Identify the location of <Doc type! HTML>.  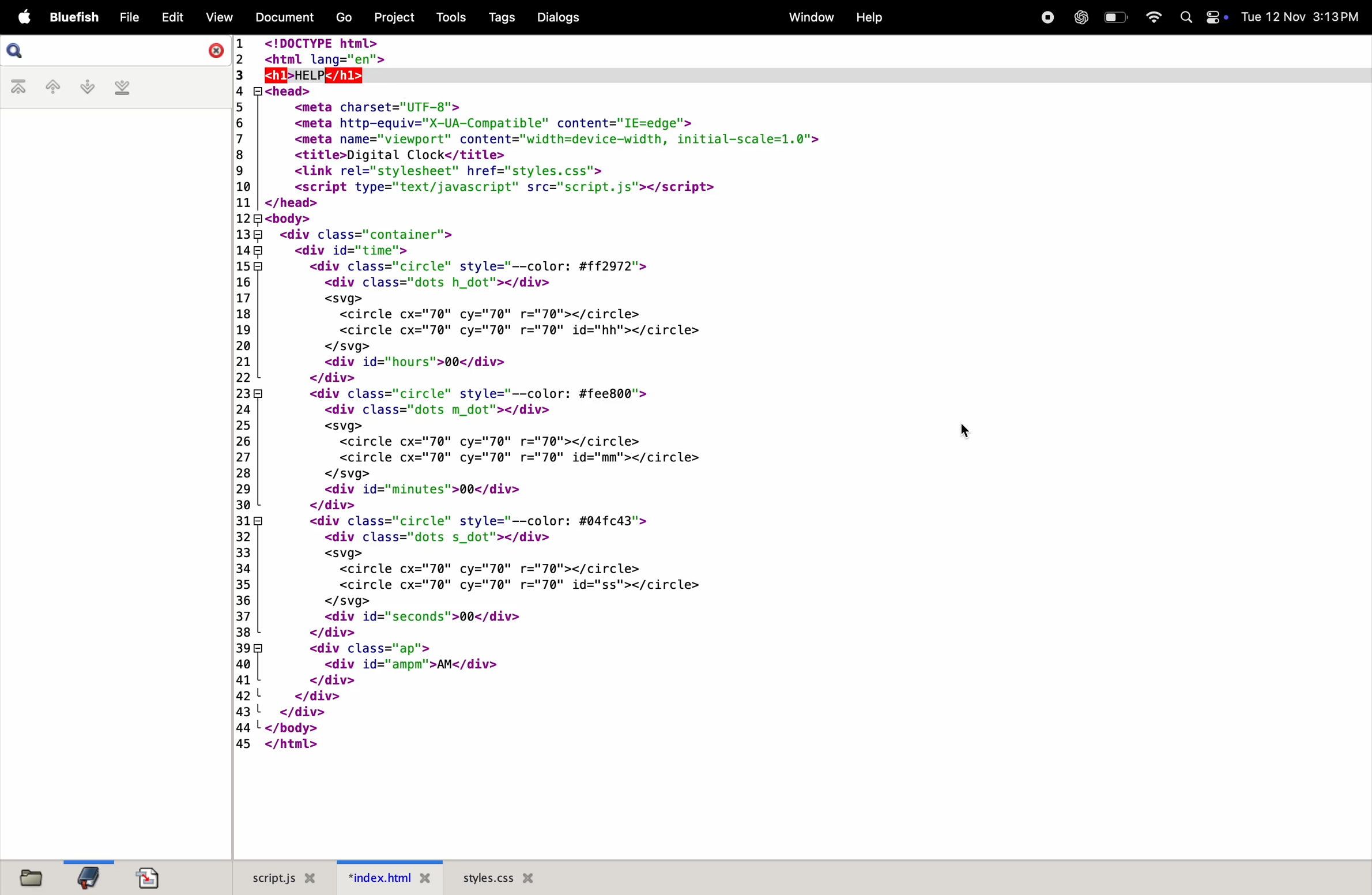
(804, 49).